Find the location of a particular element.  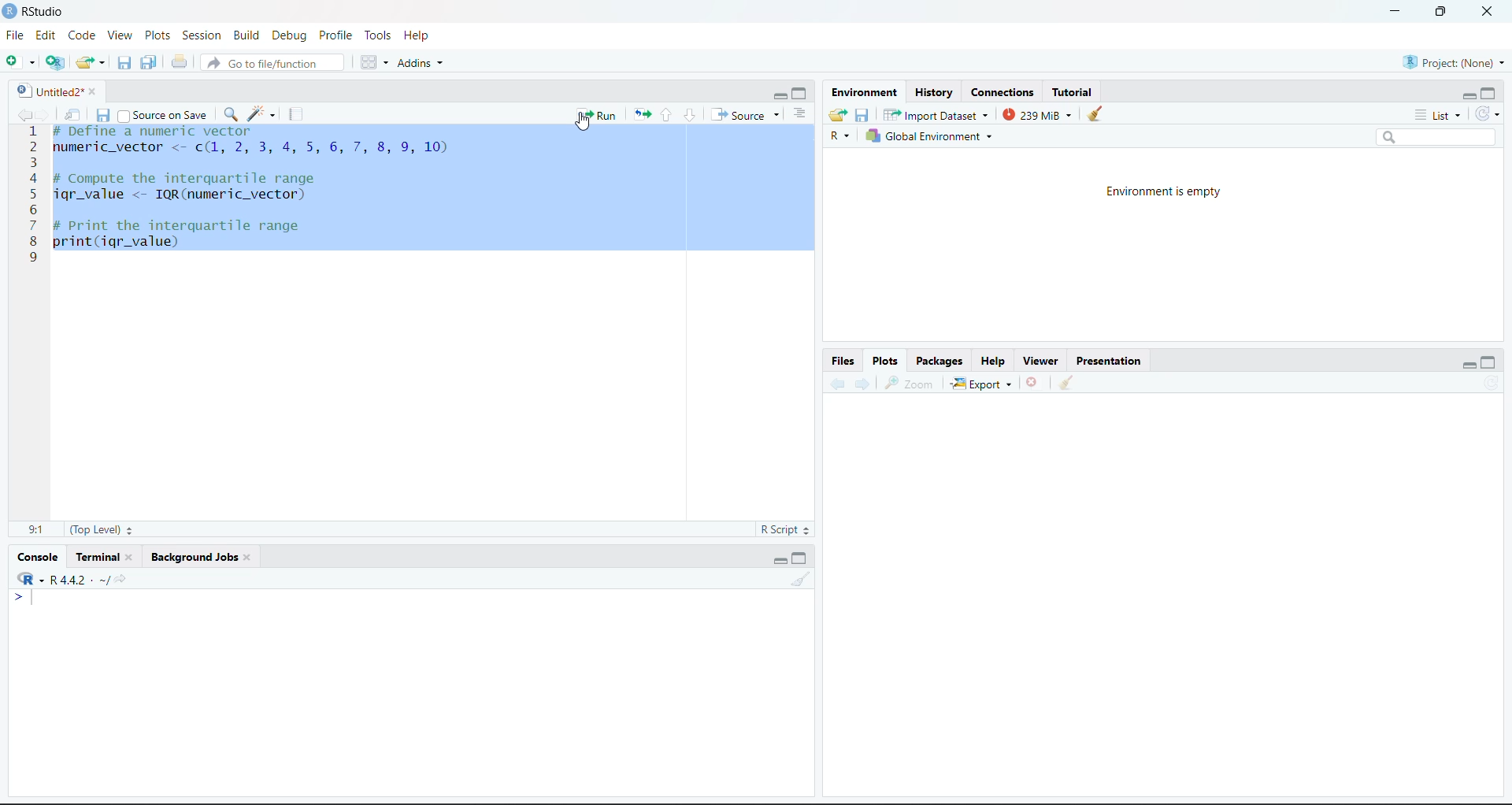

Print the current file is located at coordinates (178, 61).